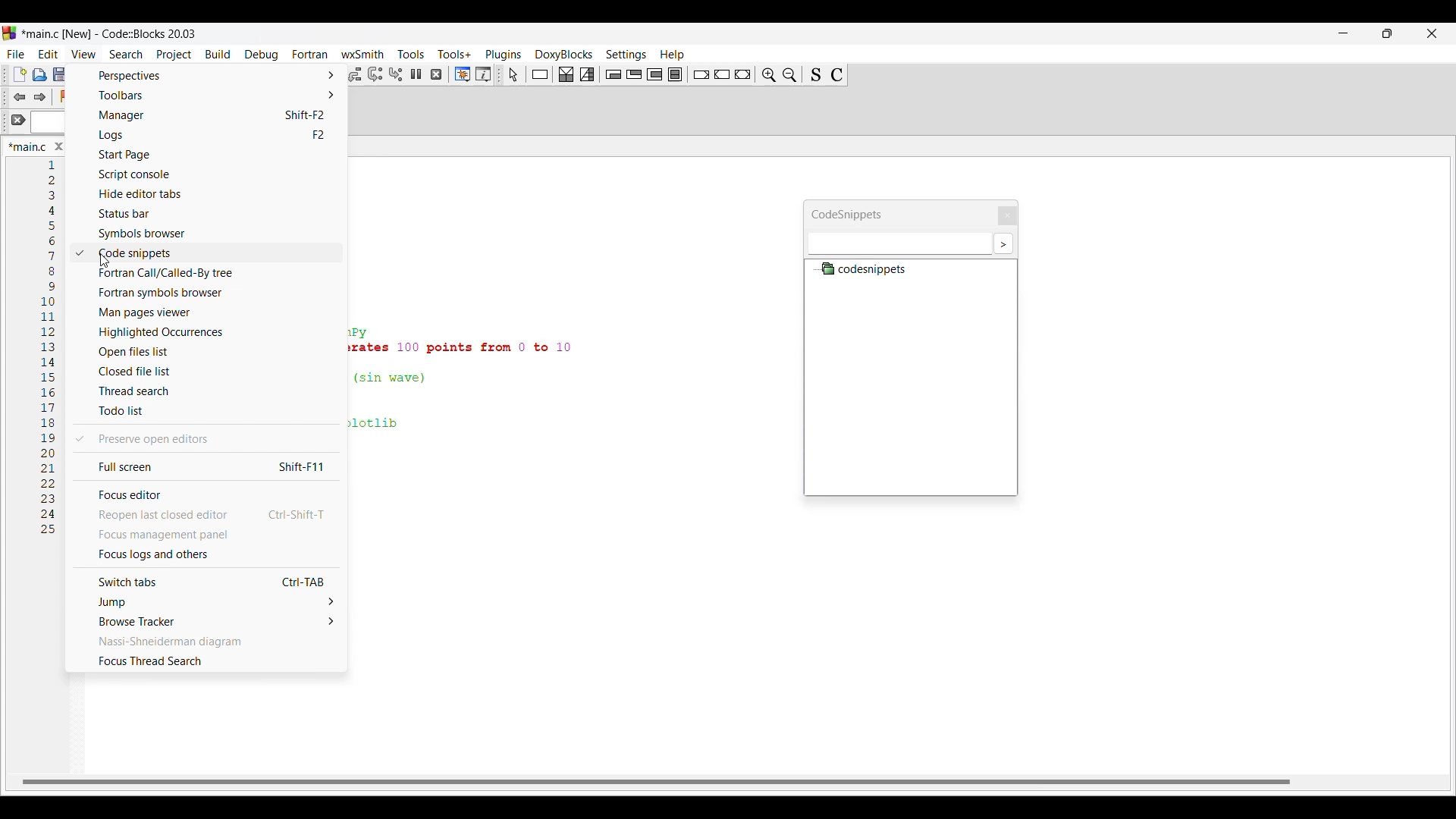 Image resolution: width=1456 pixels, height=819 pixels. What do you see at coordinates (39, 97) in the screenshot?
I see `Toggle forward` at bounding box center [39, 97].